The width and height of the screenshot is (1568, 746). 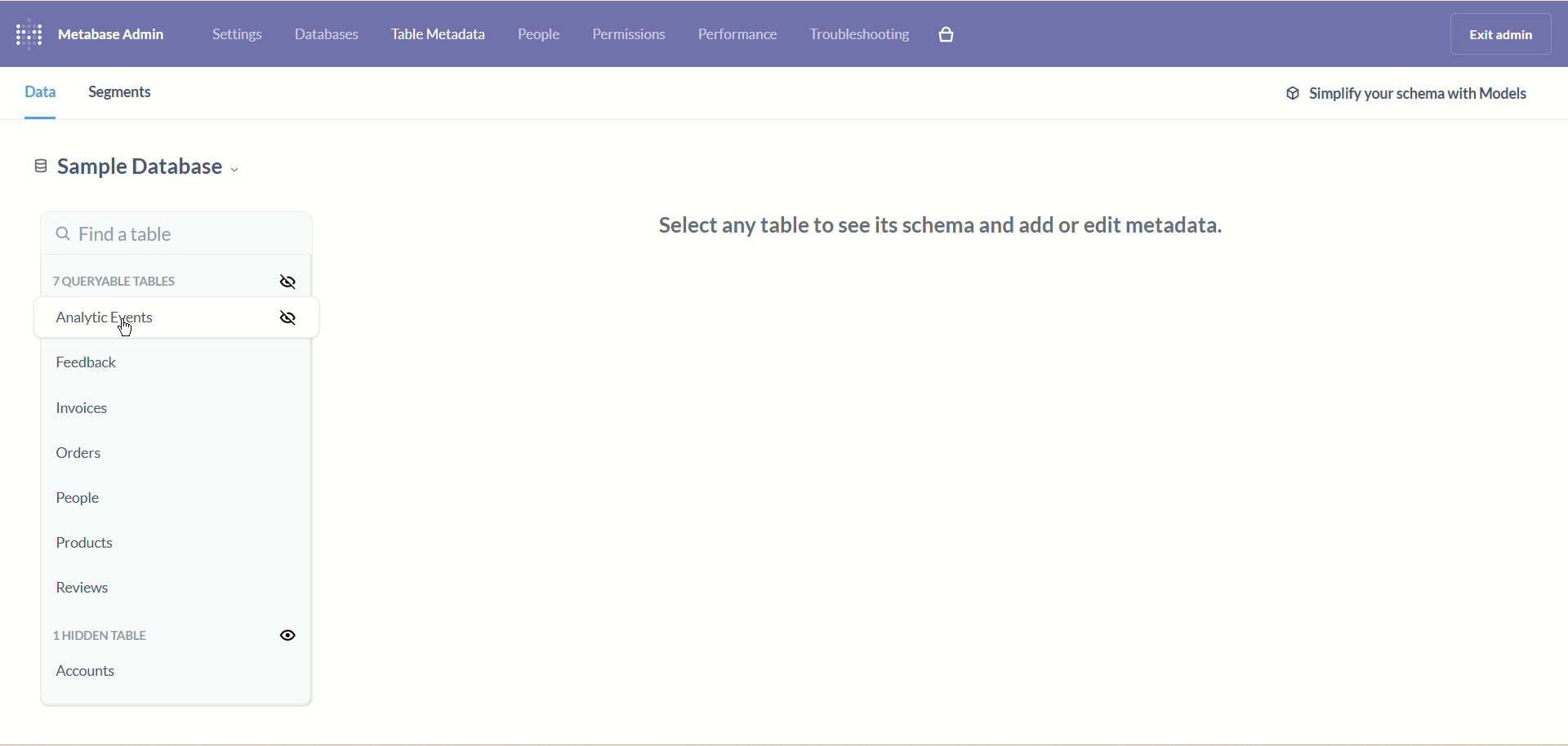 I want to click on Hide, so click(x=281, y=322).